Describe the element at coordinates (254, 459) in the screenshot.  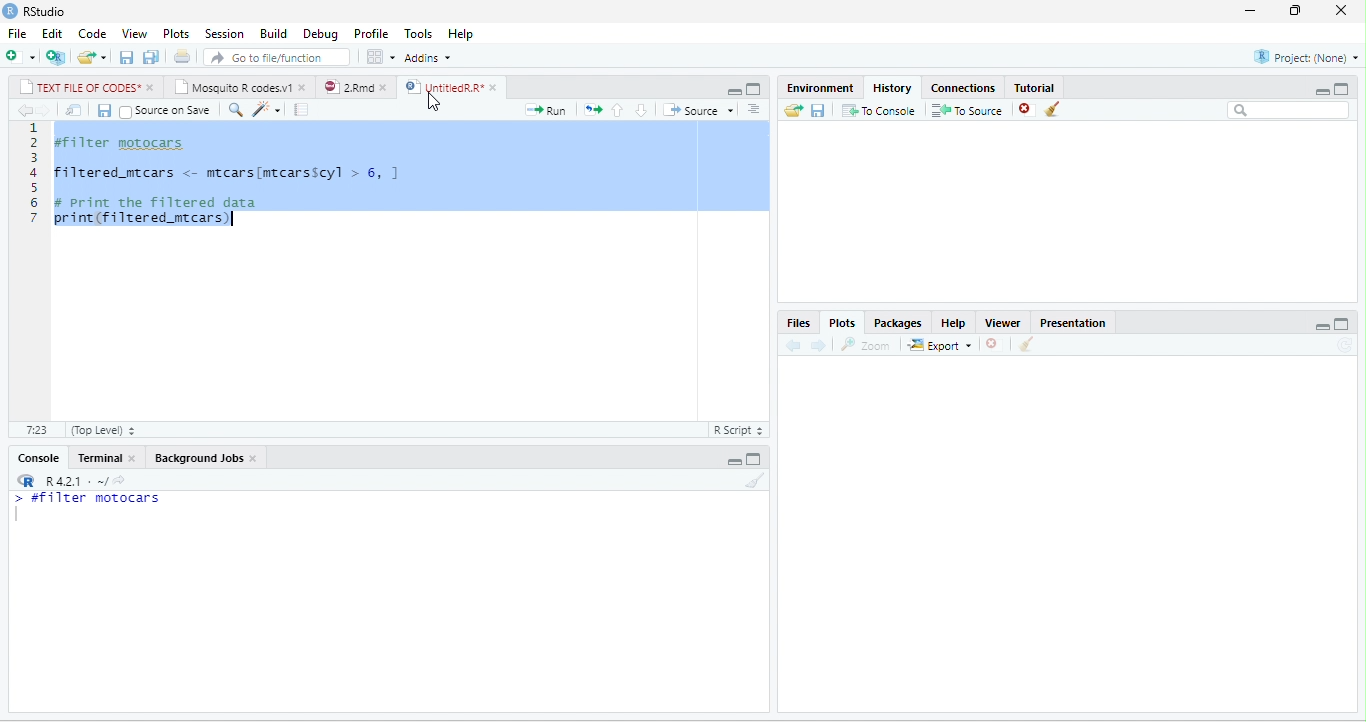
I see `close` at that location.